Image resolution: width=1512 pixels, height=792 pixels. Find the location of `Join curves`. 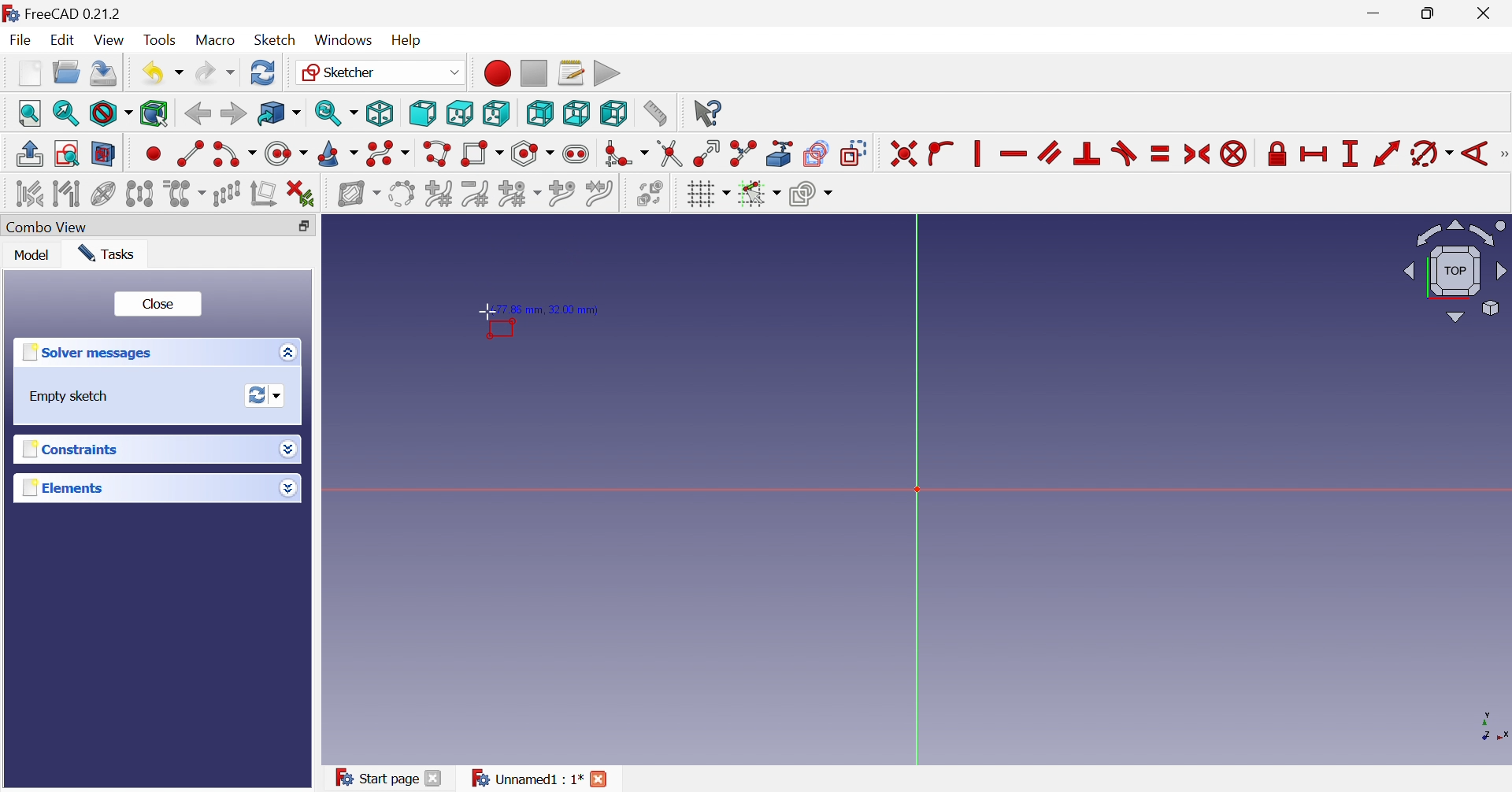

Join curves is located at coordinates (599, 194).